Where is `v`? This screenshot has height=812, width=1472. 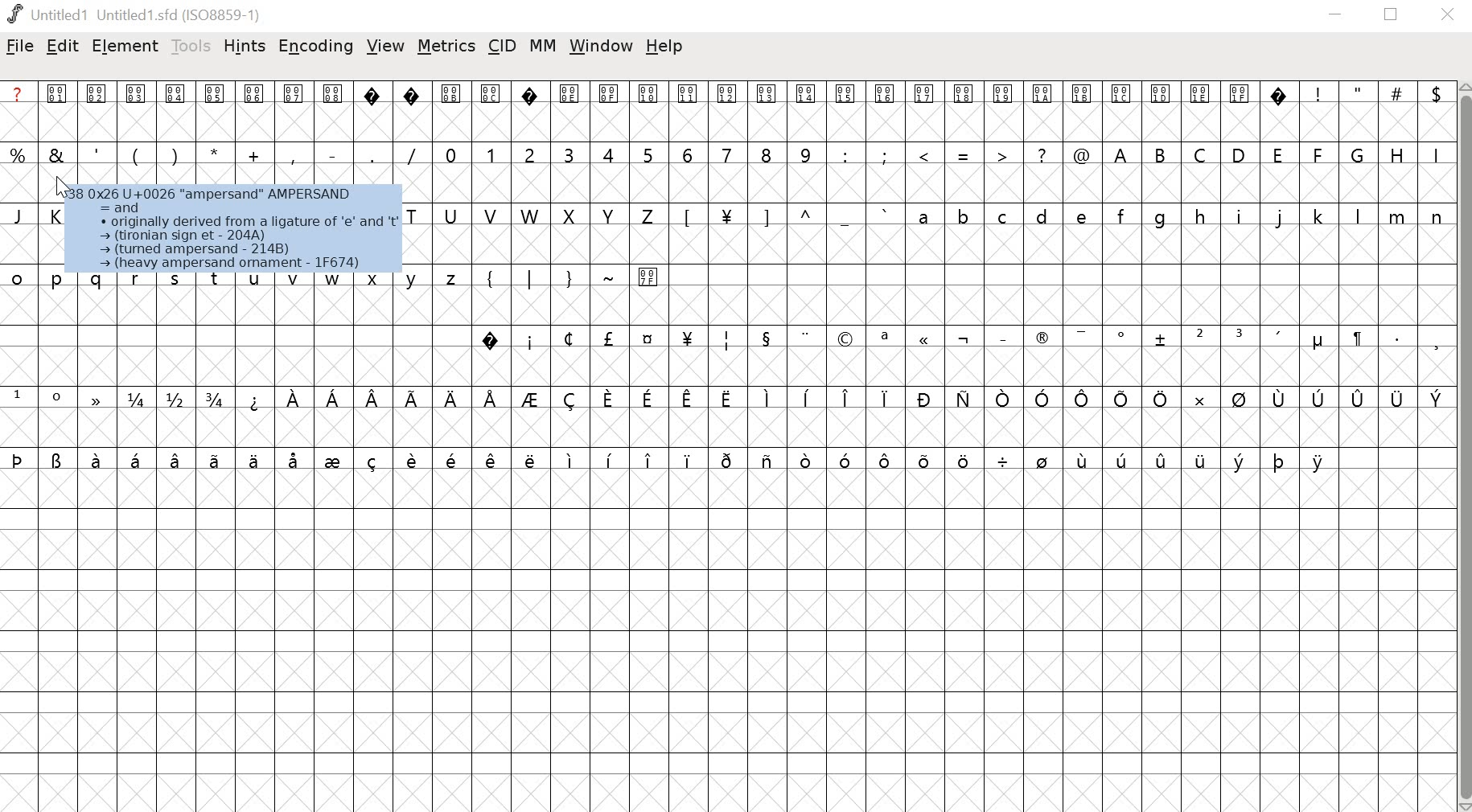
v is located at coordinates (294, 279).